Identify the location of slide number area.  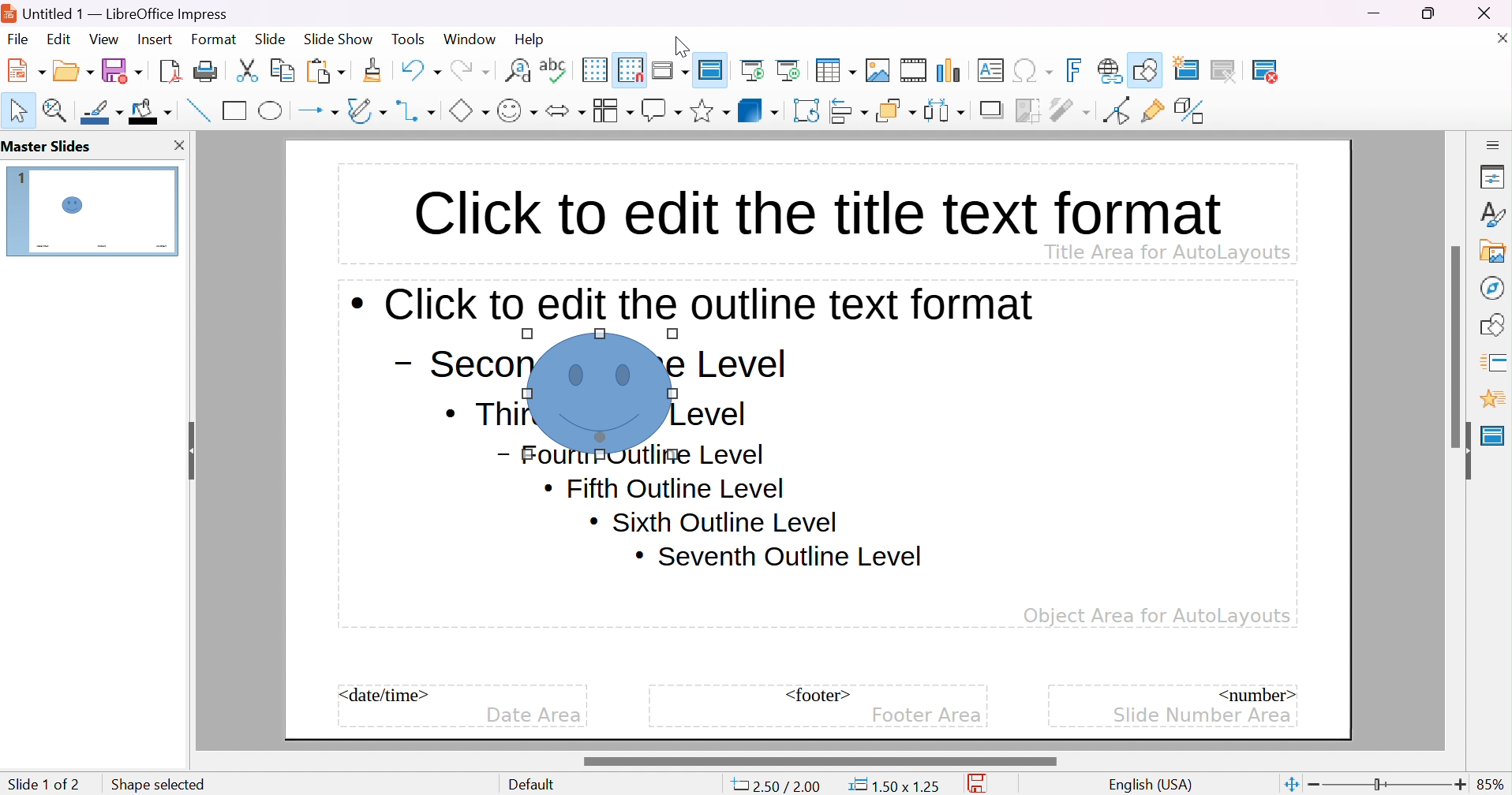
(1203, 714).